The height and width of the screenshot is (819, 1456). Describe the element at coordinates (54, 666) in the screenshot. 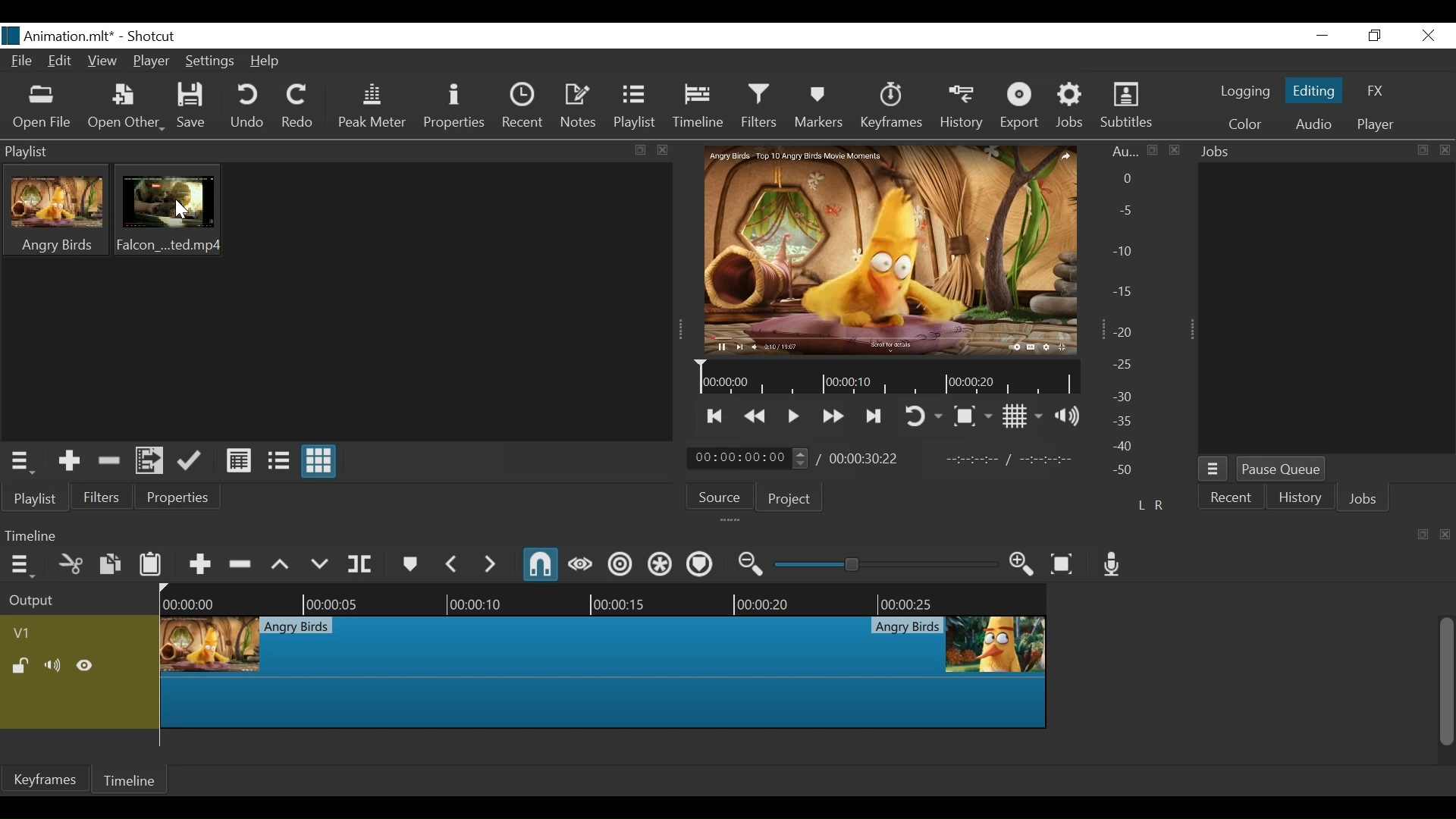

I see `Mute` at that location.